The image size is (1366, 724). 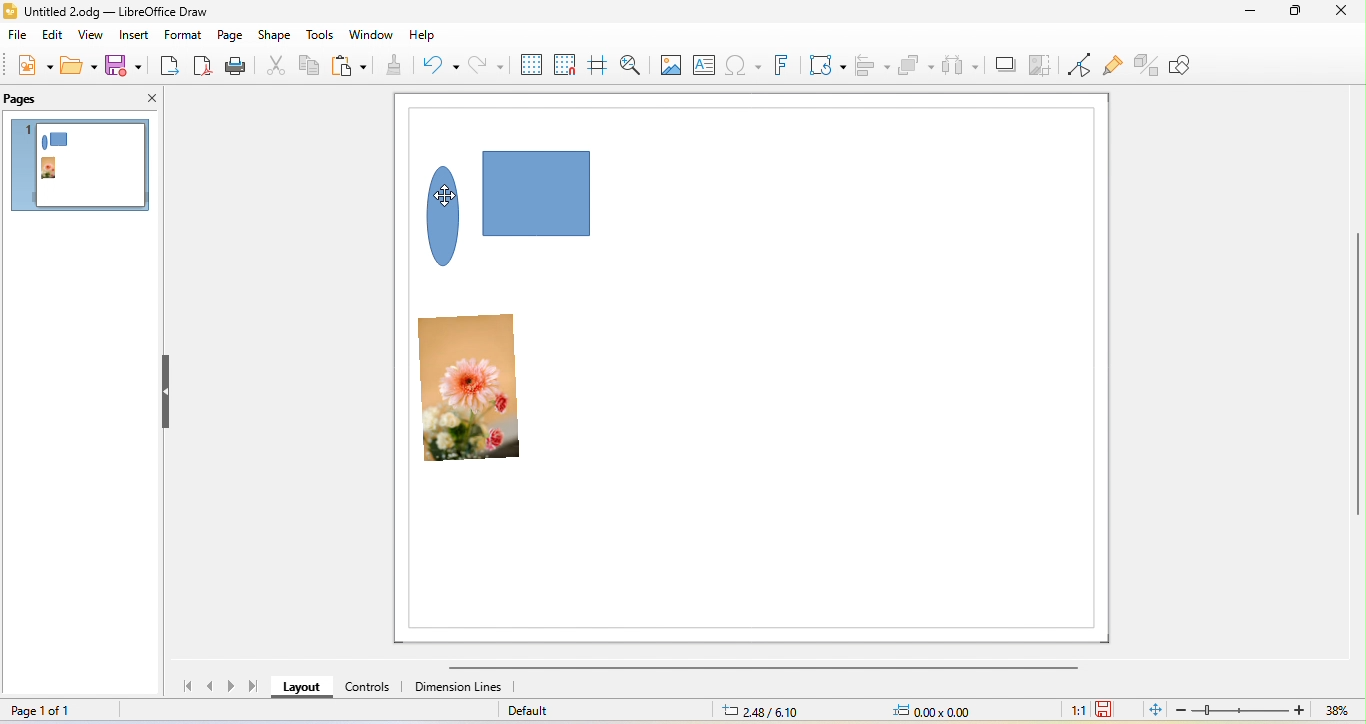 I want to click on snap to grid, so click(x=566, y=63).